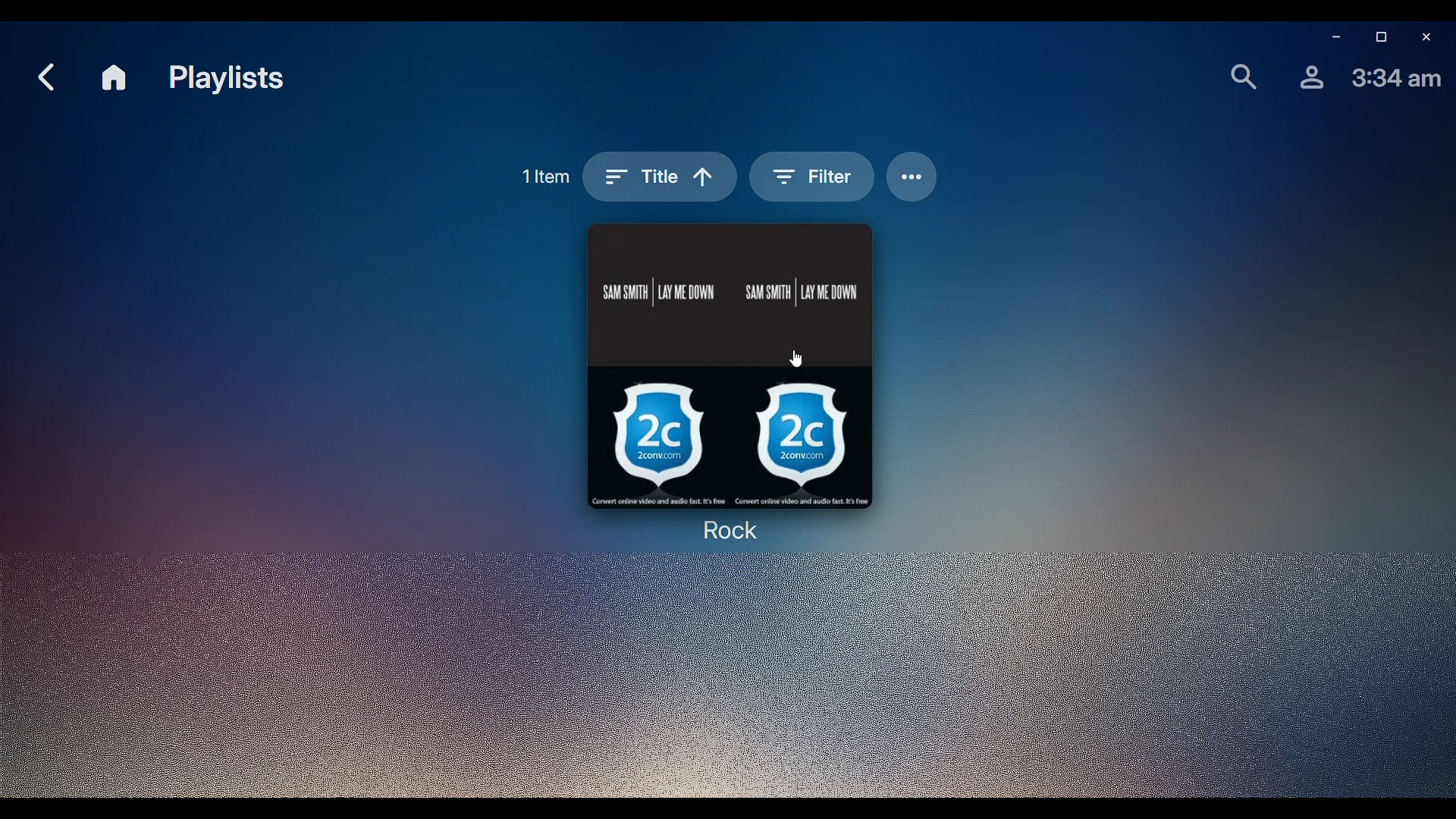 This screenshot has height=819, width=1456. Describe the element at coordinates (657, 174) in the screenshot. I see `Sort by` at that location.